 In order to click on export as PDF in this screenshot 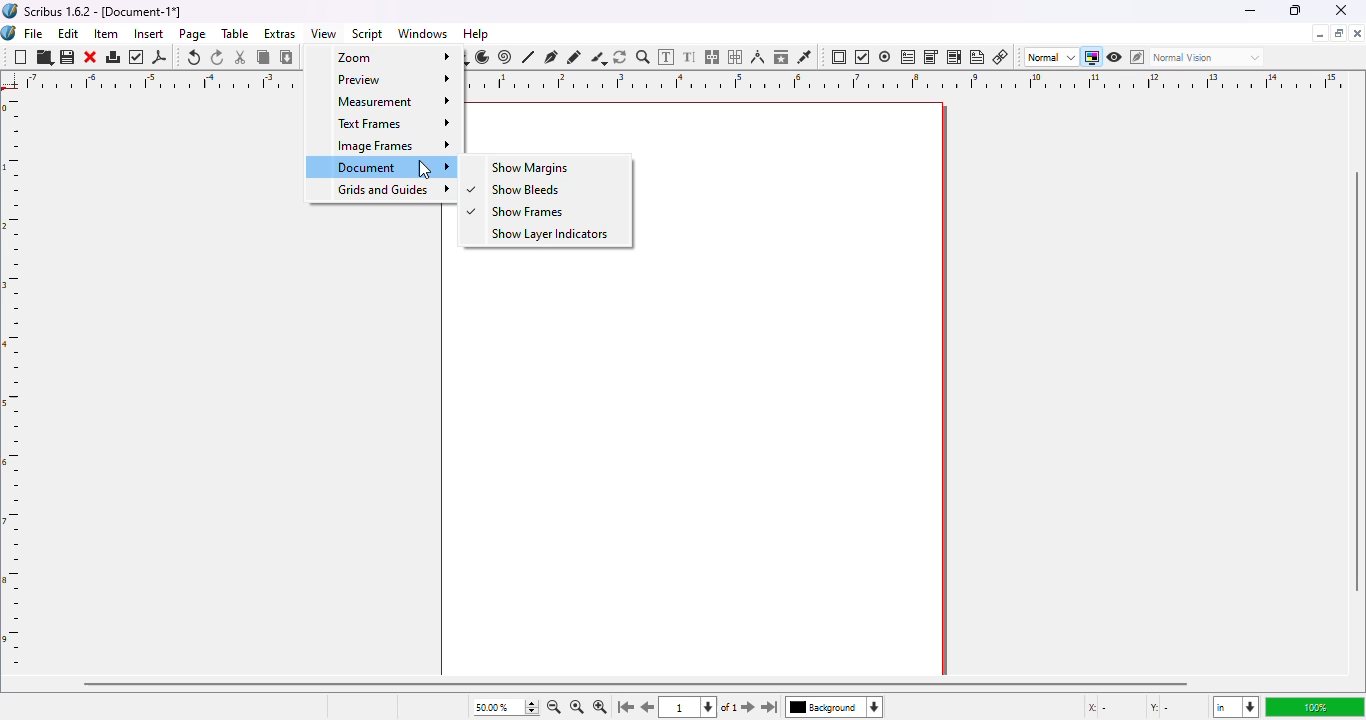, I will do `click(160, 57)`.